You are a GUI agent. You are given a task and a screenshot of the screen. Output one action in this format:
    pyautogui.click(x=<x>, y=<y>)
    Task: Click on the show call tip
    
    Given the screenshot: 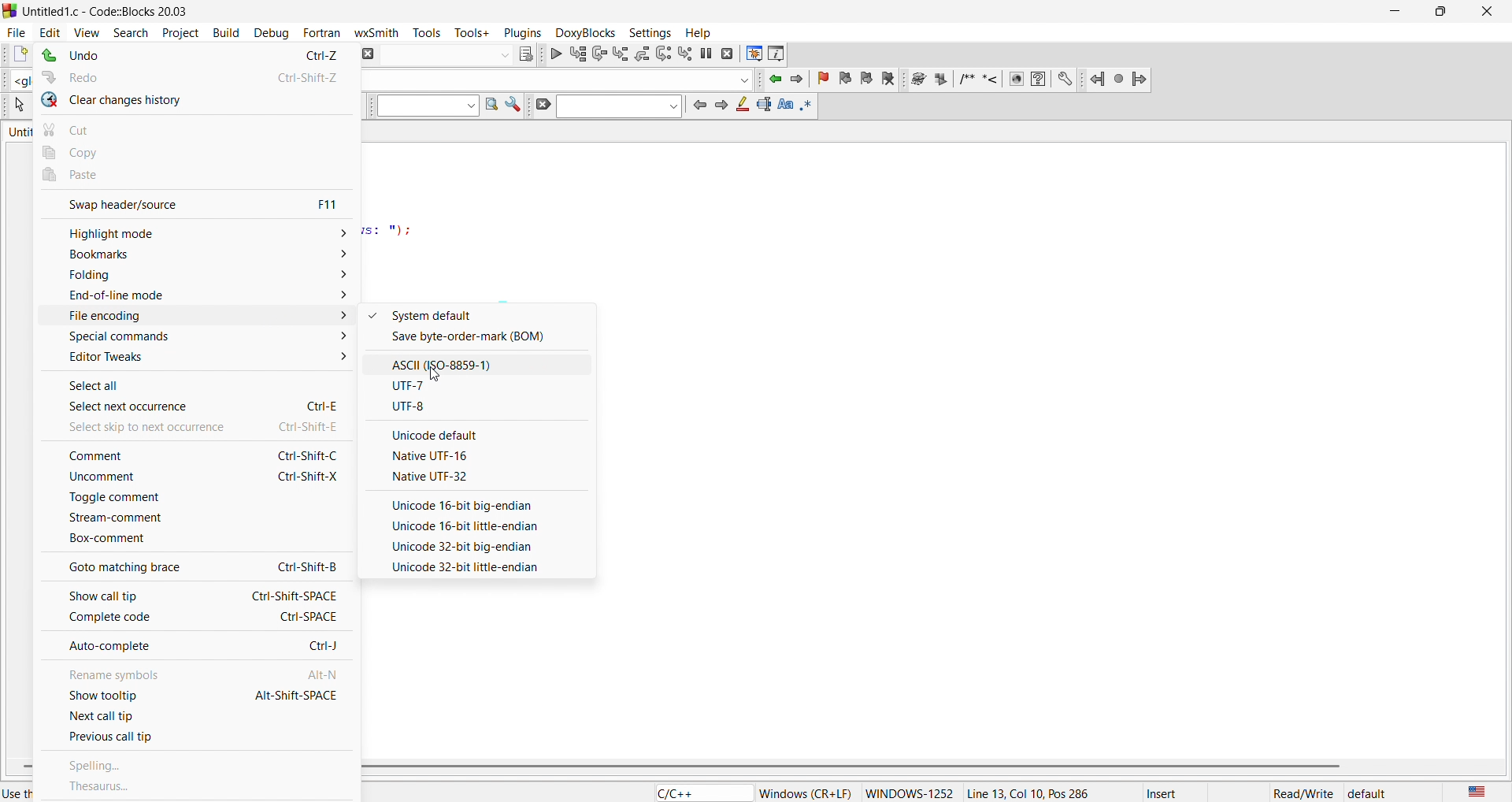 What is the action you would take?
    pyautogui.click(x=193, y=593)
    